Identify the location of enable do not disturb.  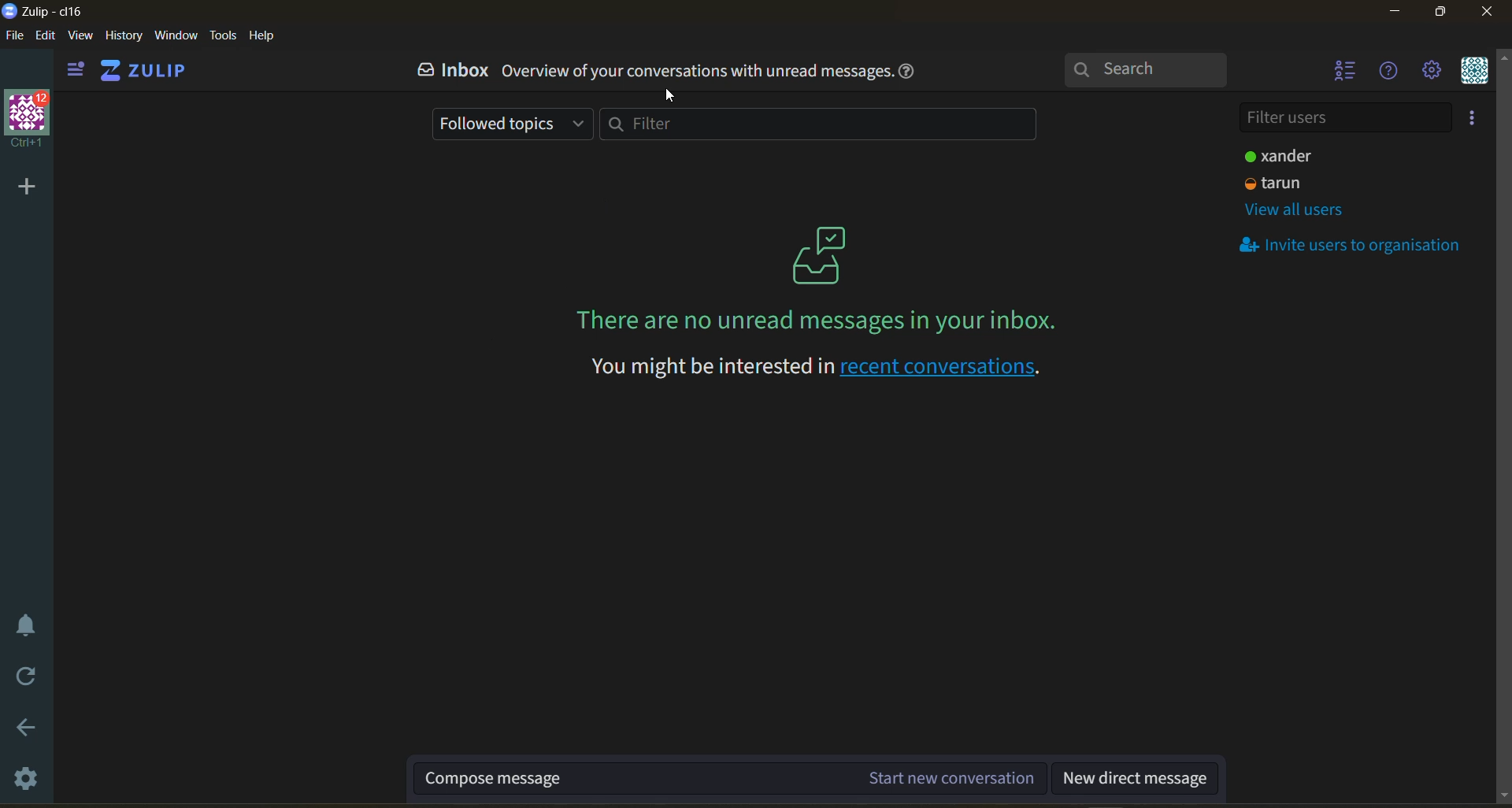
(28, 625).